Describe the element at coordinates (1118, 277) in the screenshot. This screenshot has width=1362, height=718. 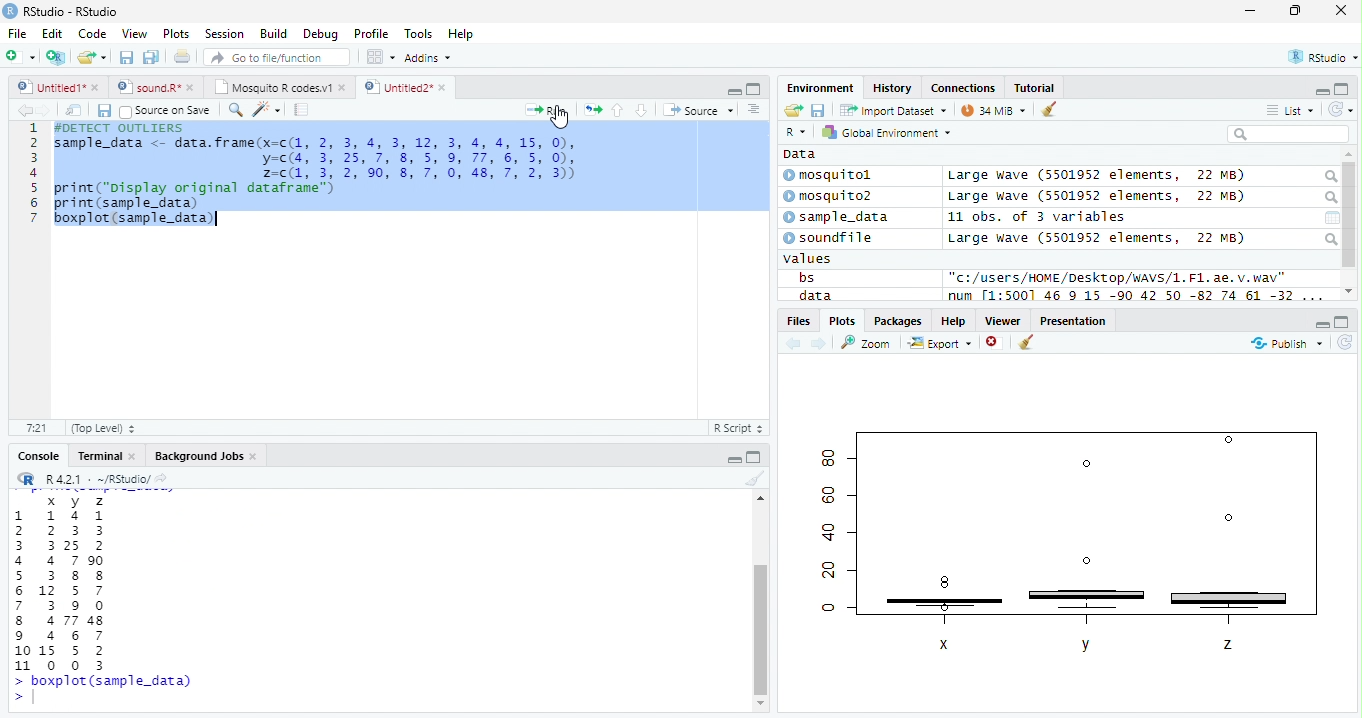
I see `"c:/users/HOME /Desktop/WAVS/1.F1. ae. v.wav"` at that location.